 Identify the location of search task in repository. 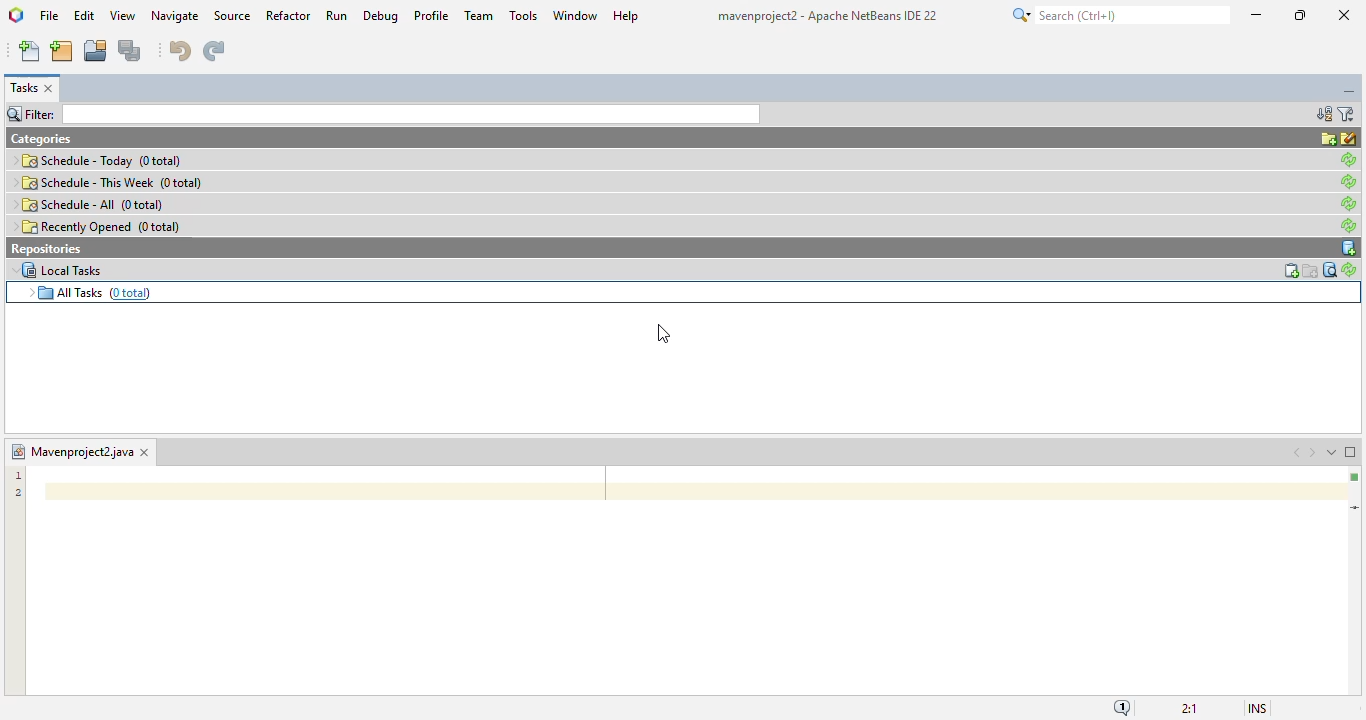
(1328, 270).